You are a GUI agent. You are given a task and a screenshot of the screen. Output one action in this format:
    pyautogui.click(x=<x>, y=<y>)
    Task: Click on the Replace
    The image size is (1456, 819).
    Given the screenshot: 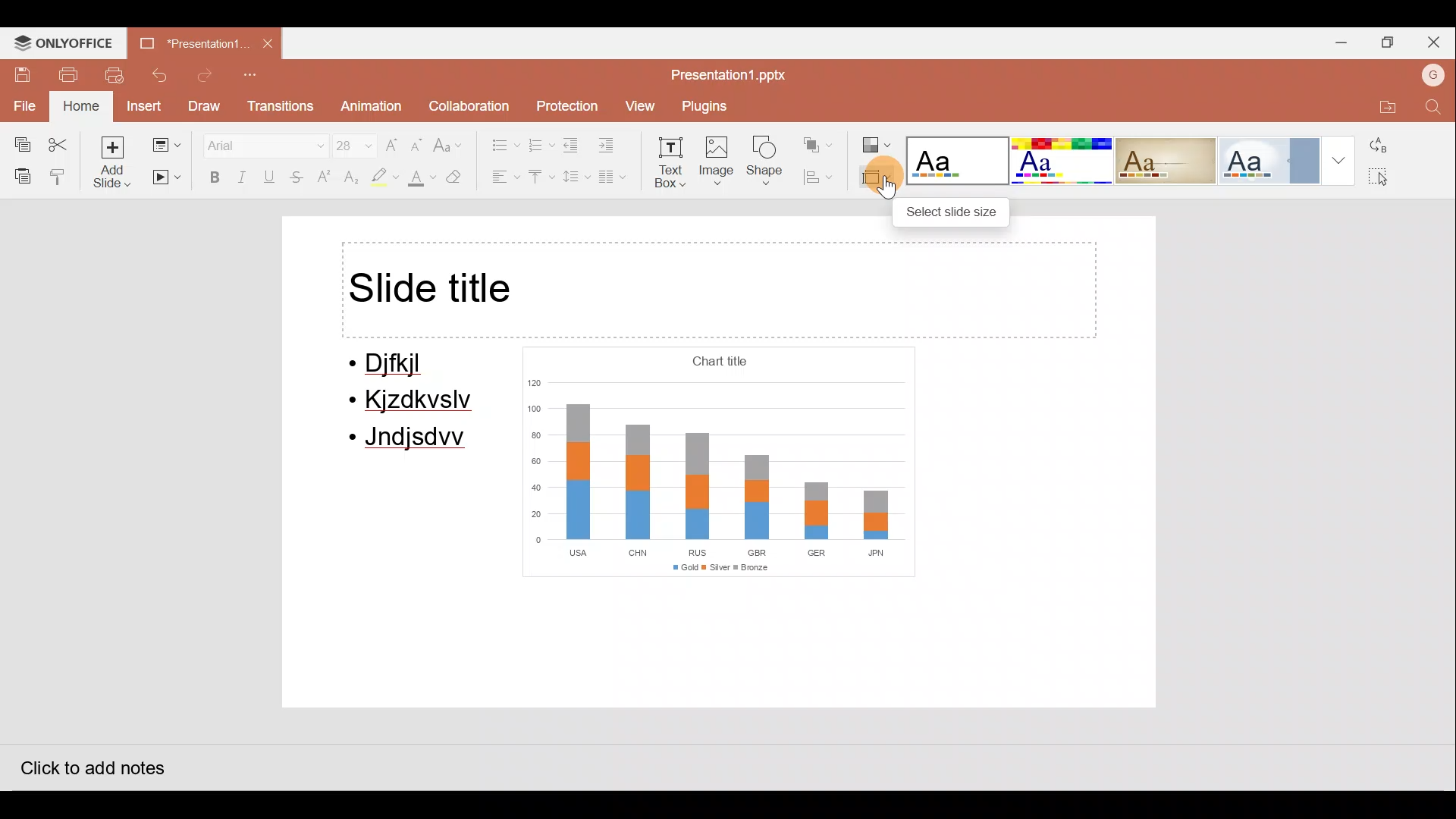 What is the action you would take?
    pyautogui.click(x=1387, y=144)
    